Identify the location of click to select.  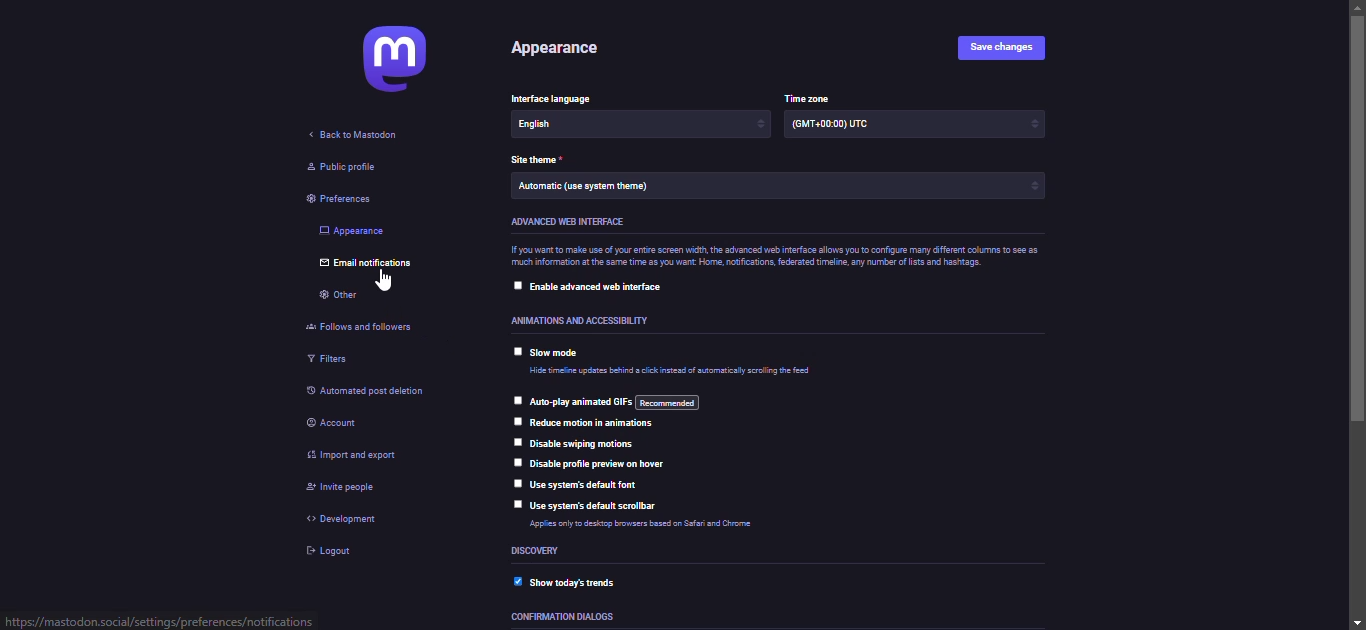
(516, 287).